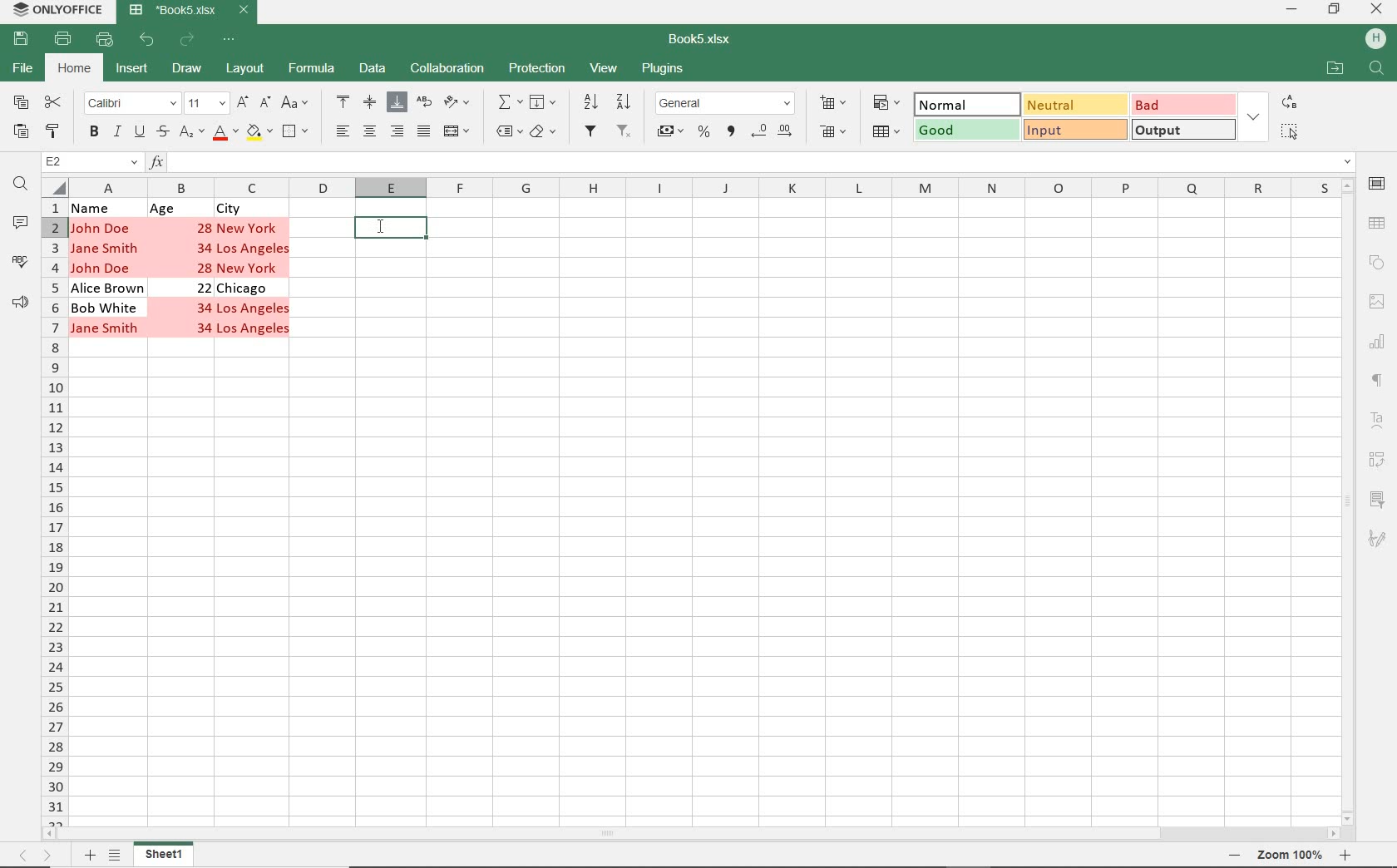 The height and width of the screenshot is (868, 1397). Describe the element at coordinates (1379, 340) in the screenshot. I see `CHART` at that location.